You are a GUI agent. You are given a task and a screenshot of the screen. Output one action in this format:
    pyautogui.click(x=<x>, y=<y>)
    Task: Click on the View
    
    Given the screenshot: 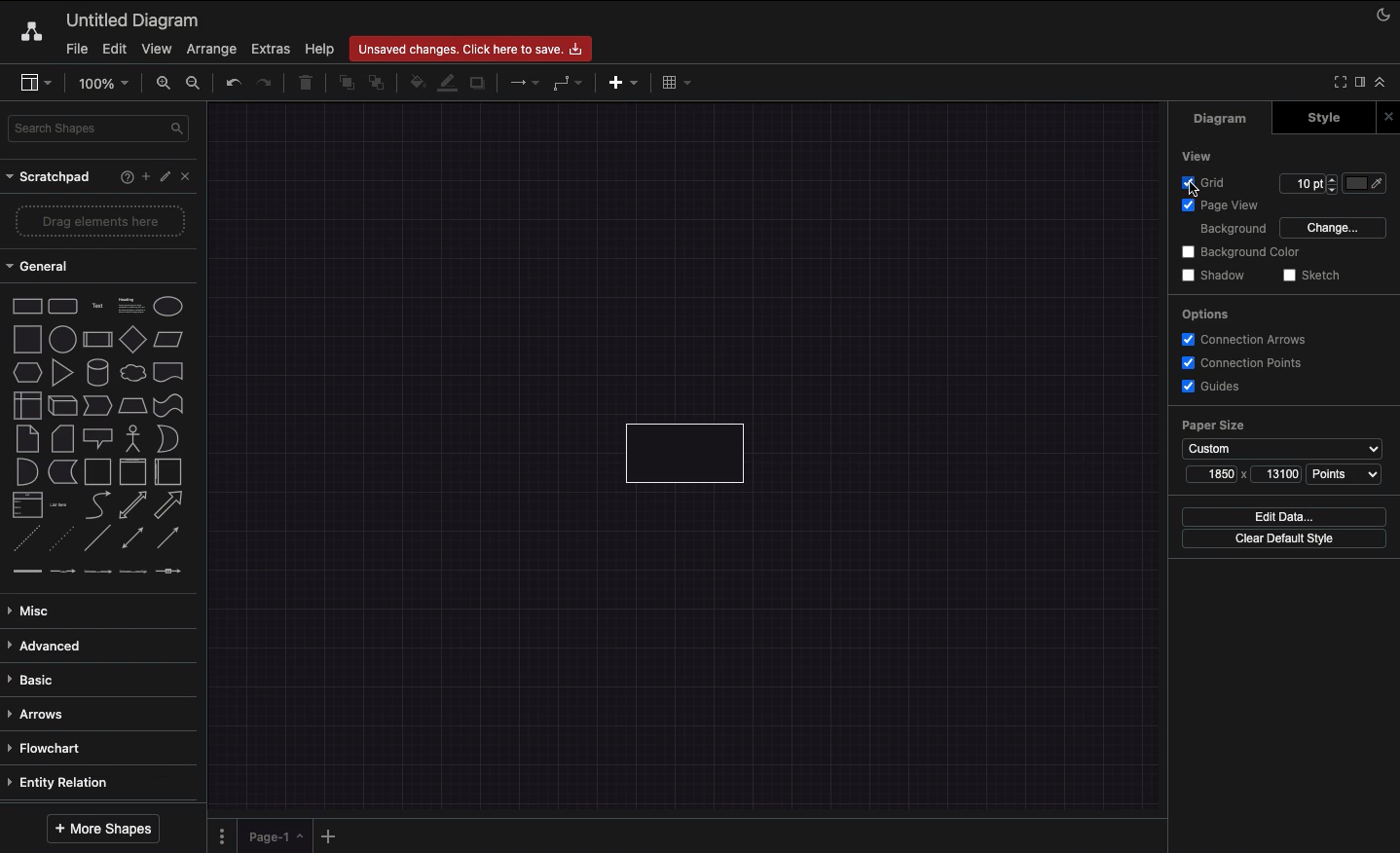 What is the action you would take?
    pyautogui.click(x=160, y=50)
    